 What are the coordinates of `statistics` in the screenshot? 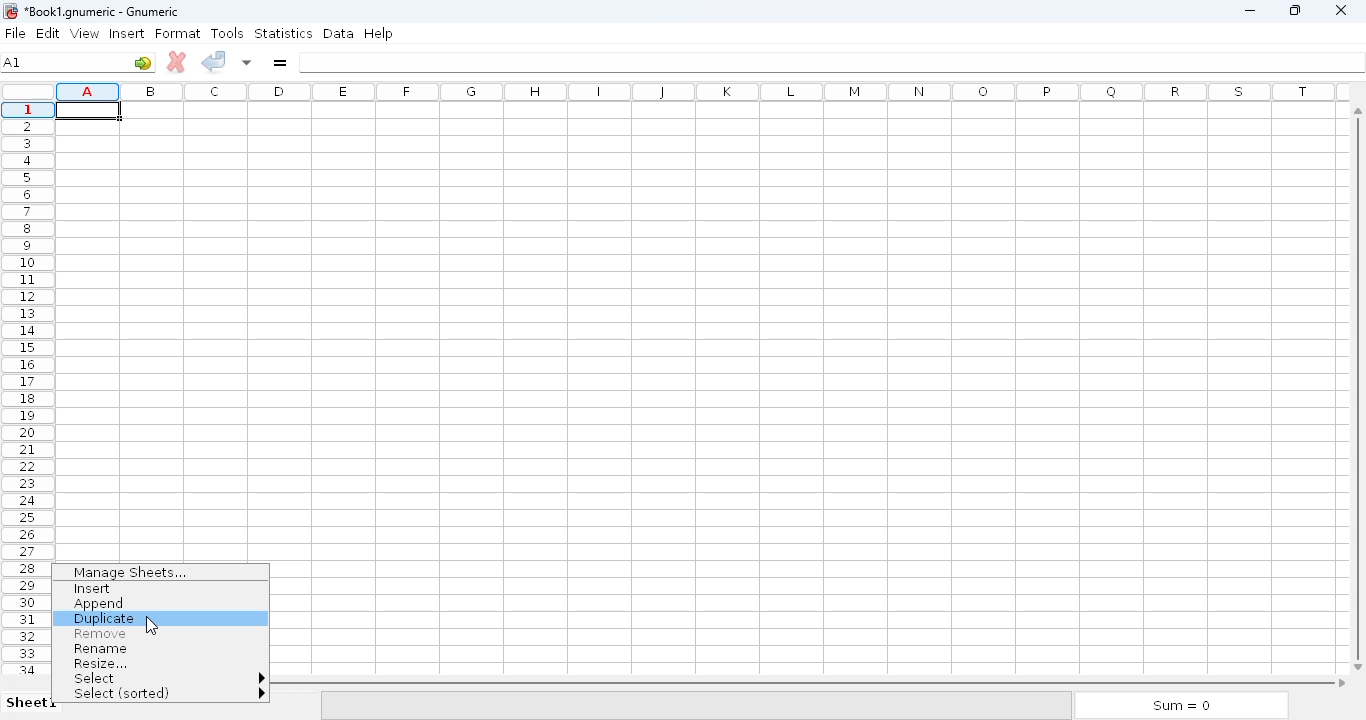 It's located at (283, 33).